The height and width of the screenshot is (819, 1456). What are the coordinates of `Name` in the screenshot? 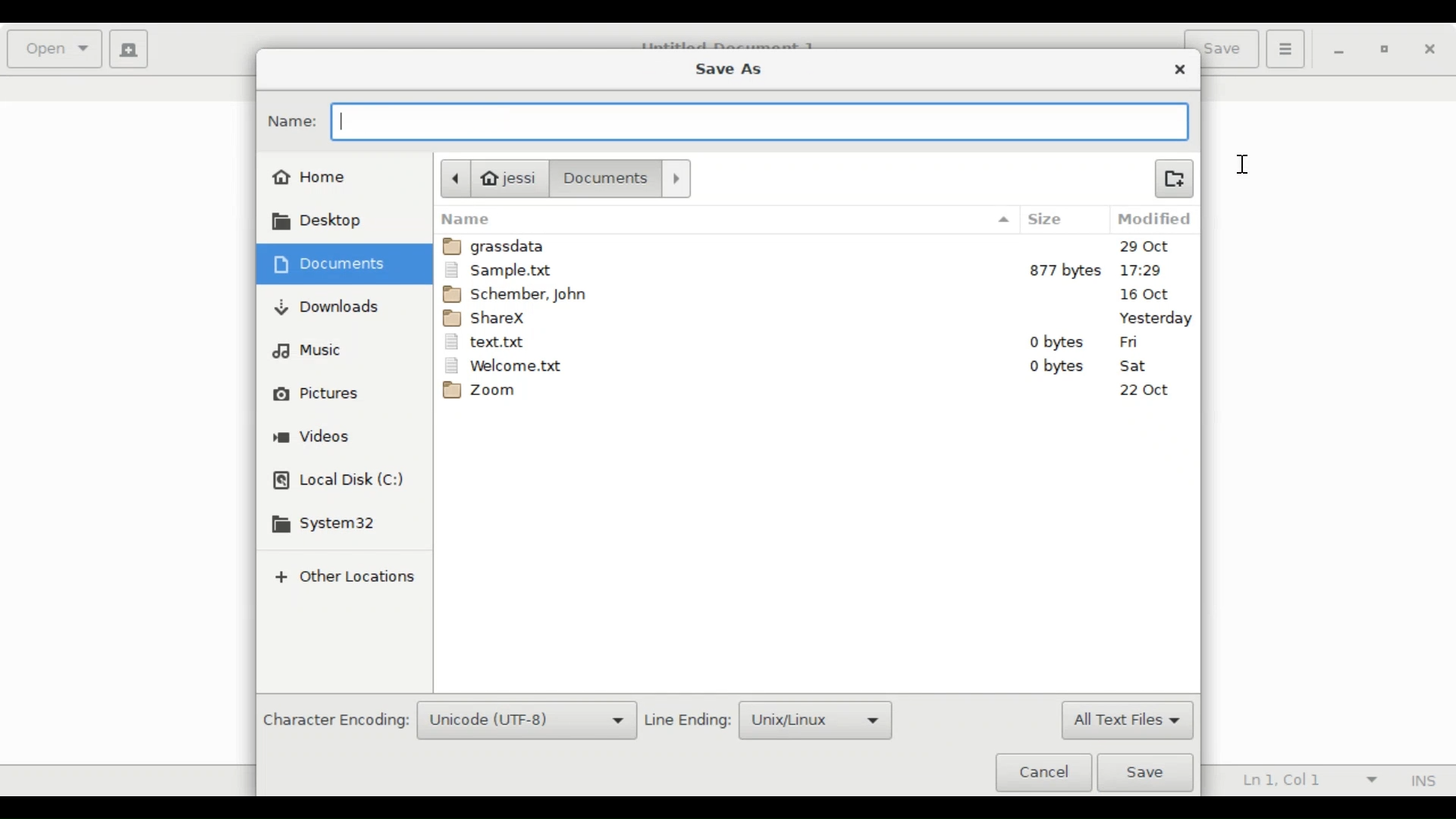 It's located at (293, 121).